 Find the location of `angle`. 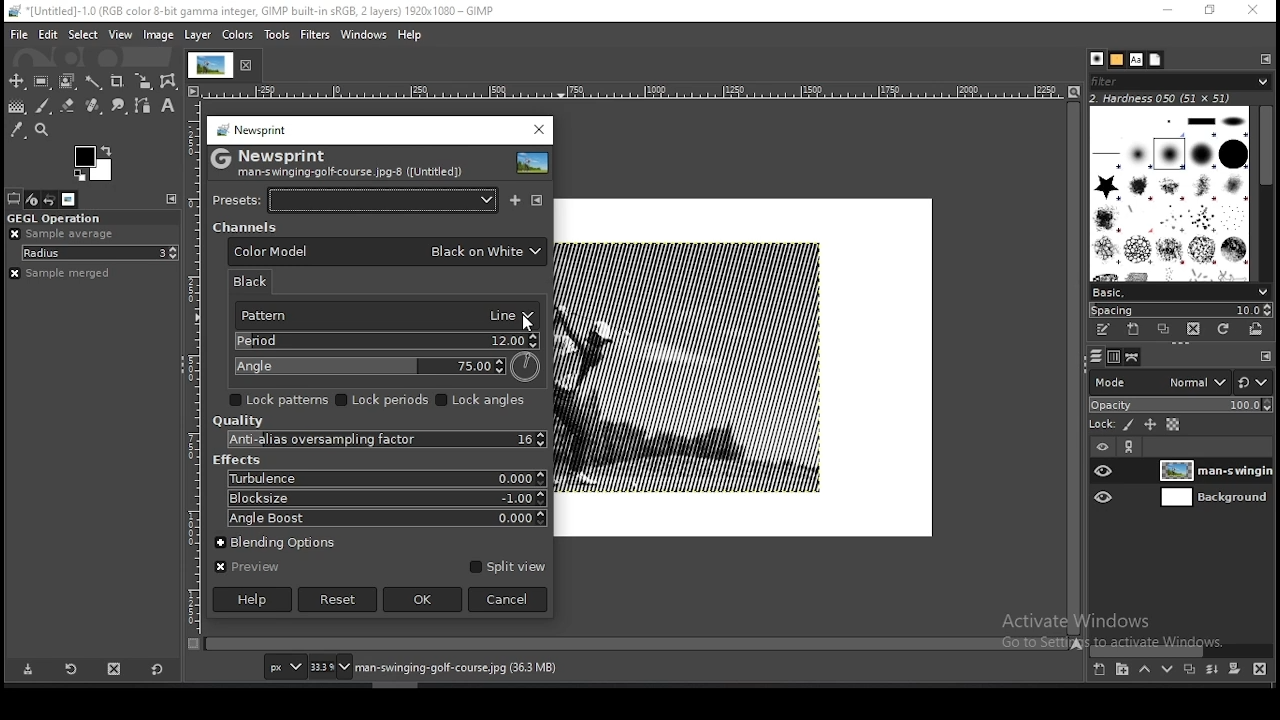

angle is located at coordinates (387, 367).